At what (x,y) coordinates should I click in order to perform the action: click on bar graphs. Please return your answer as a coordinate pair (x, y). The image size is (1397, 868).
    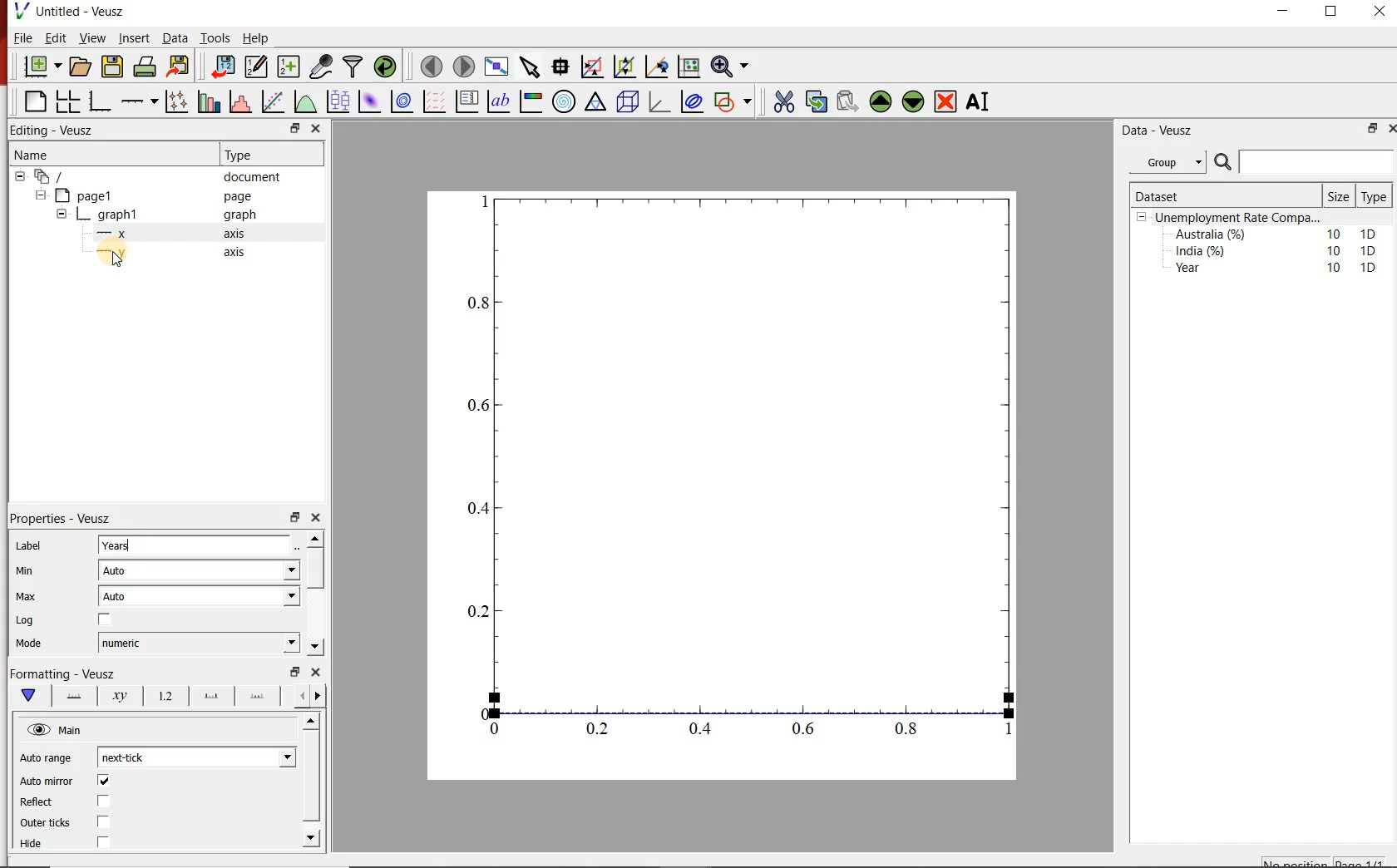
    Looking at the image, I should click on (207, 101).